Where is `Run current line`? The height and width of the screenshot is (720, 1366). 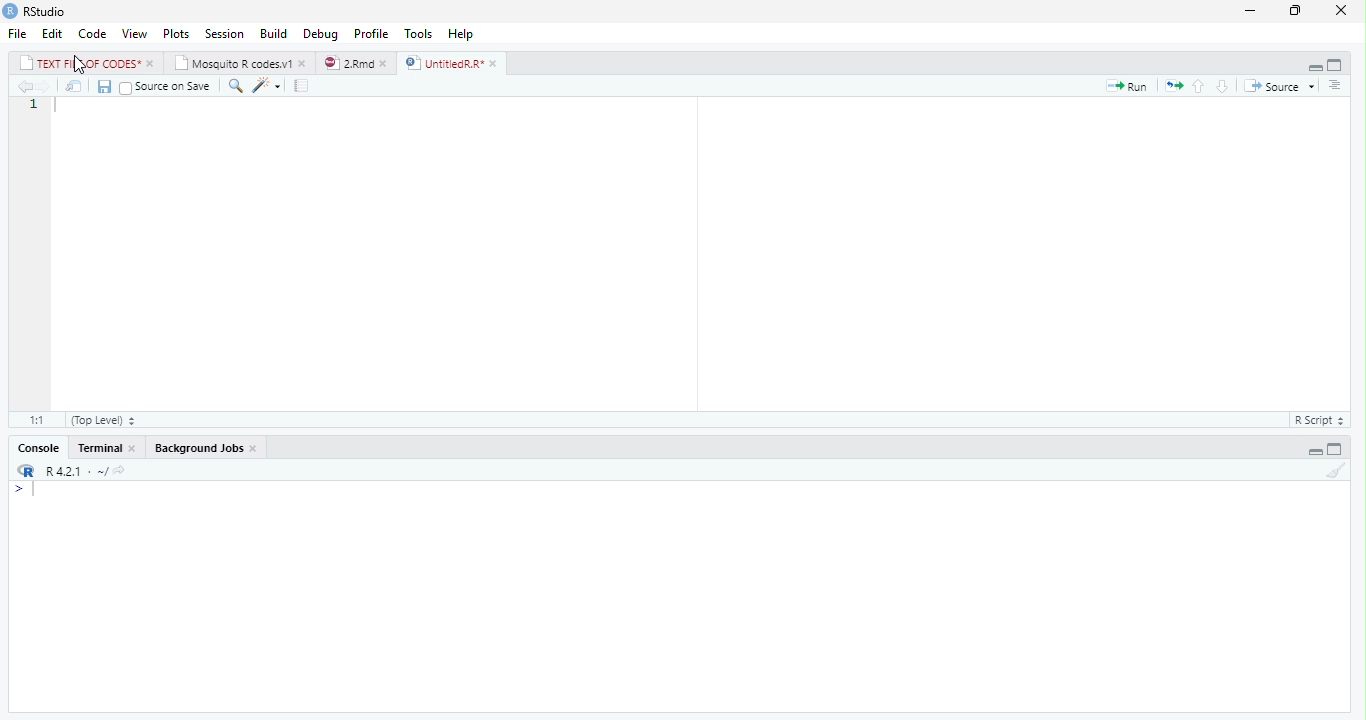 Run current line is located at coordinates (1128, 86).